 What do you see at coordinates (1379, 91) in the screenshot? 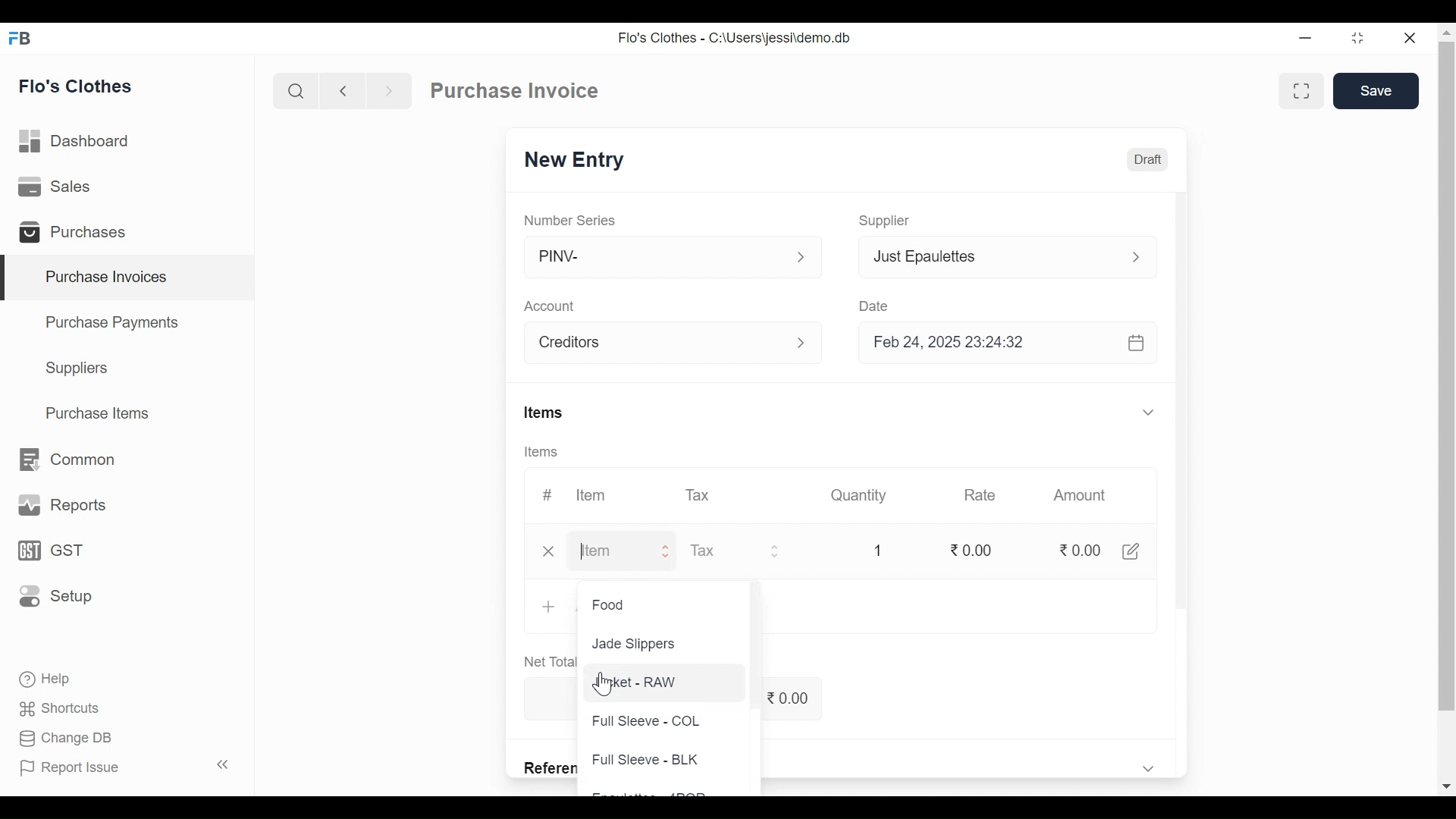
I see `Save` at bounding box center [1379, 91].